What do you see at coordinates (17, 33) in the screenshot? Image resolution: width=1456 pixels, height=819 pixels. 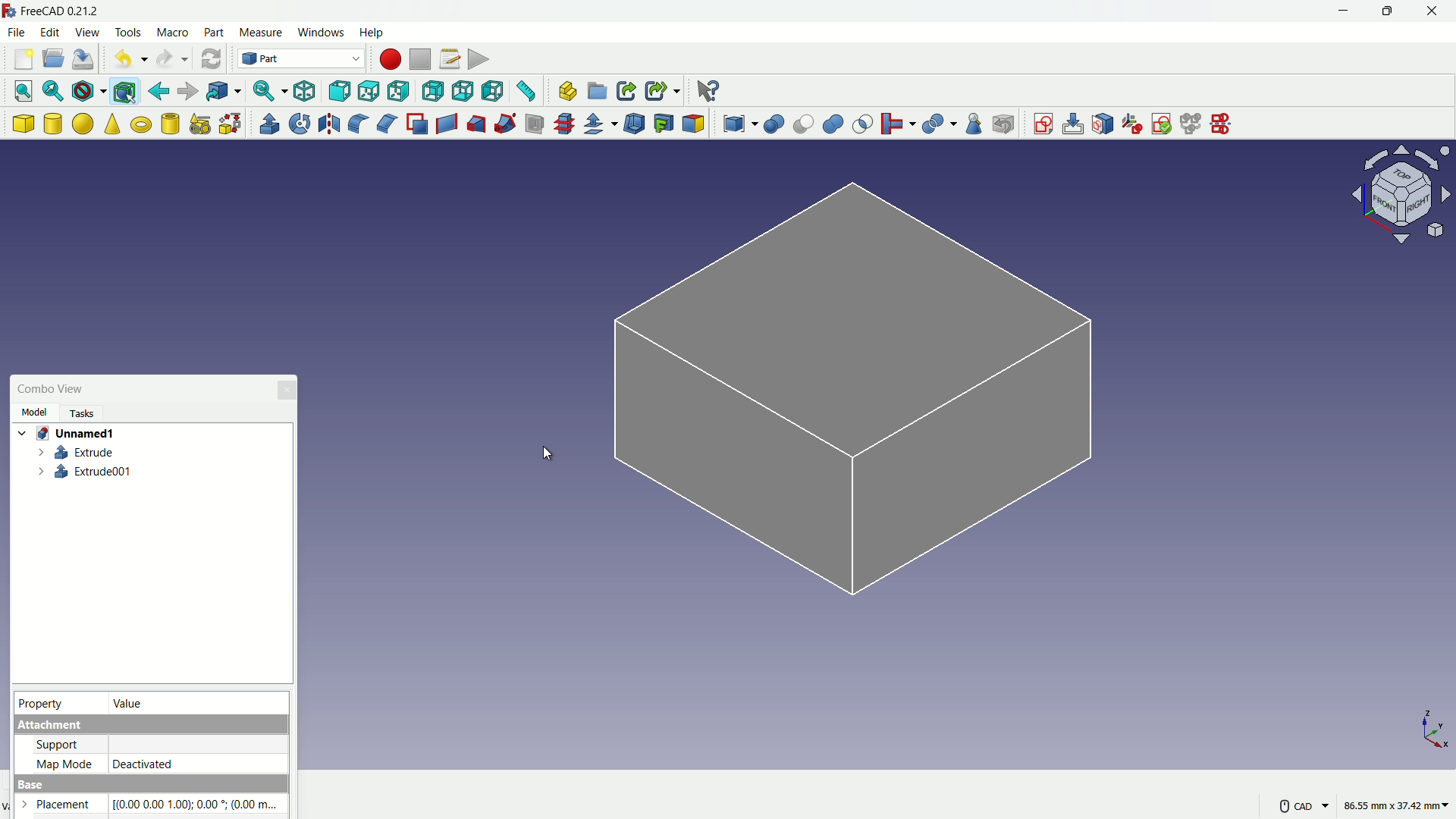 I see `file` at bounding box center [17, 33].